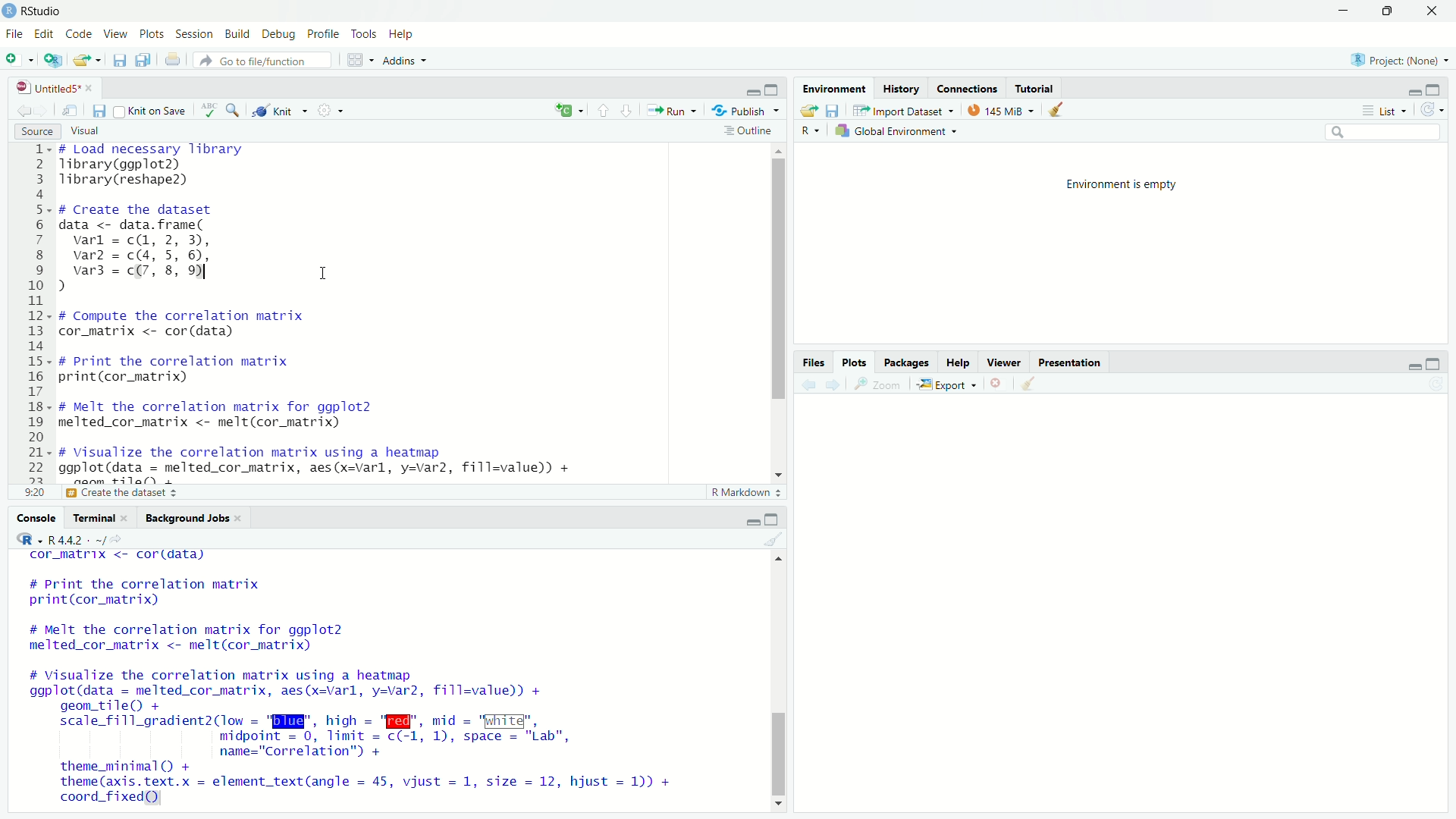 Image resolution: width=1456 pixels, height=819 pixels. Describe the element at coordinates (1414, 89) in the screenshot. I see `minimize` at that location.